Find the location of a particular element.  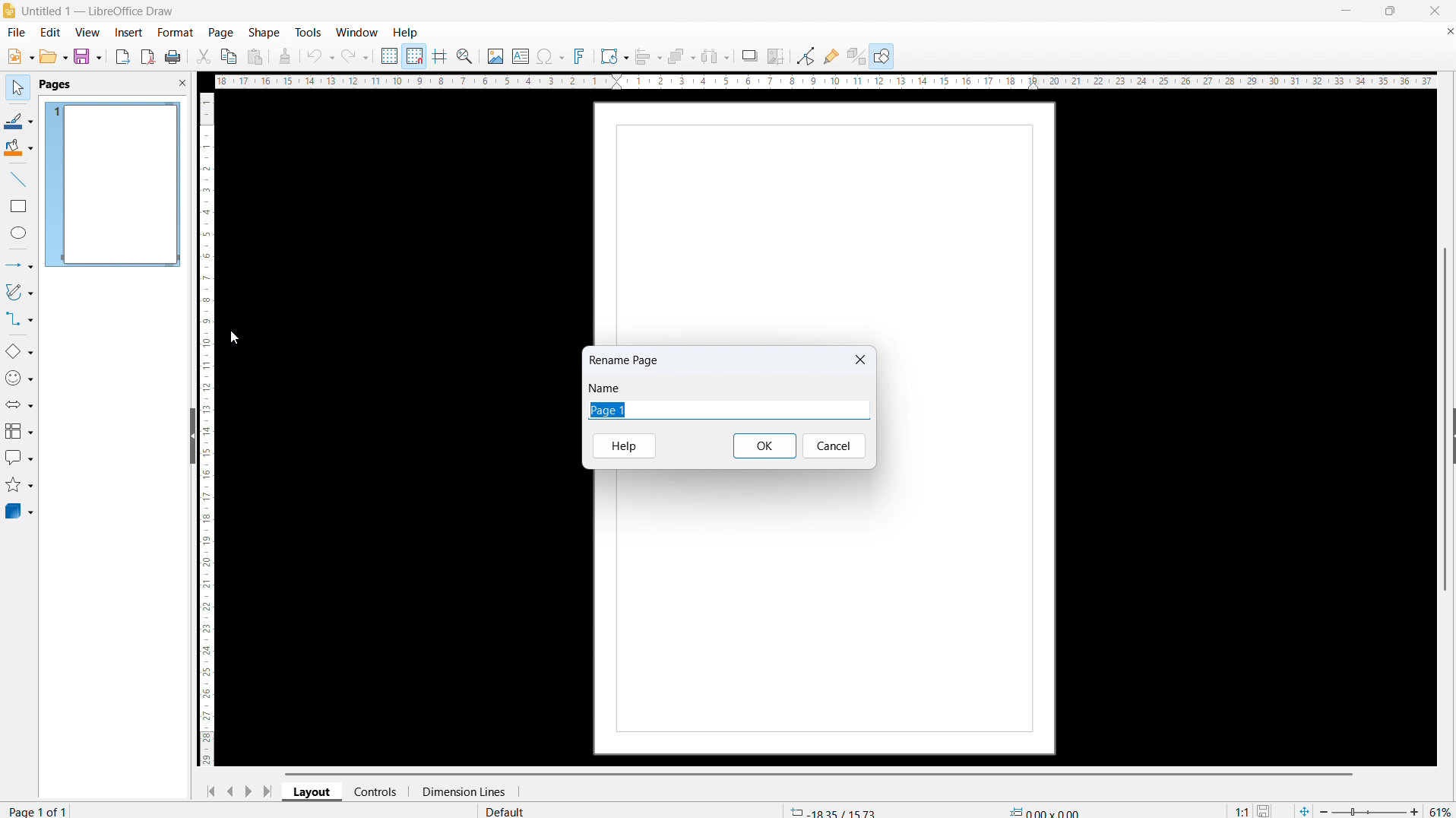

undo is located at coordinates (321, 56).